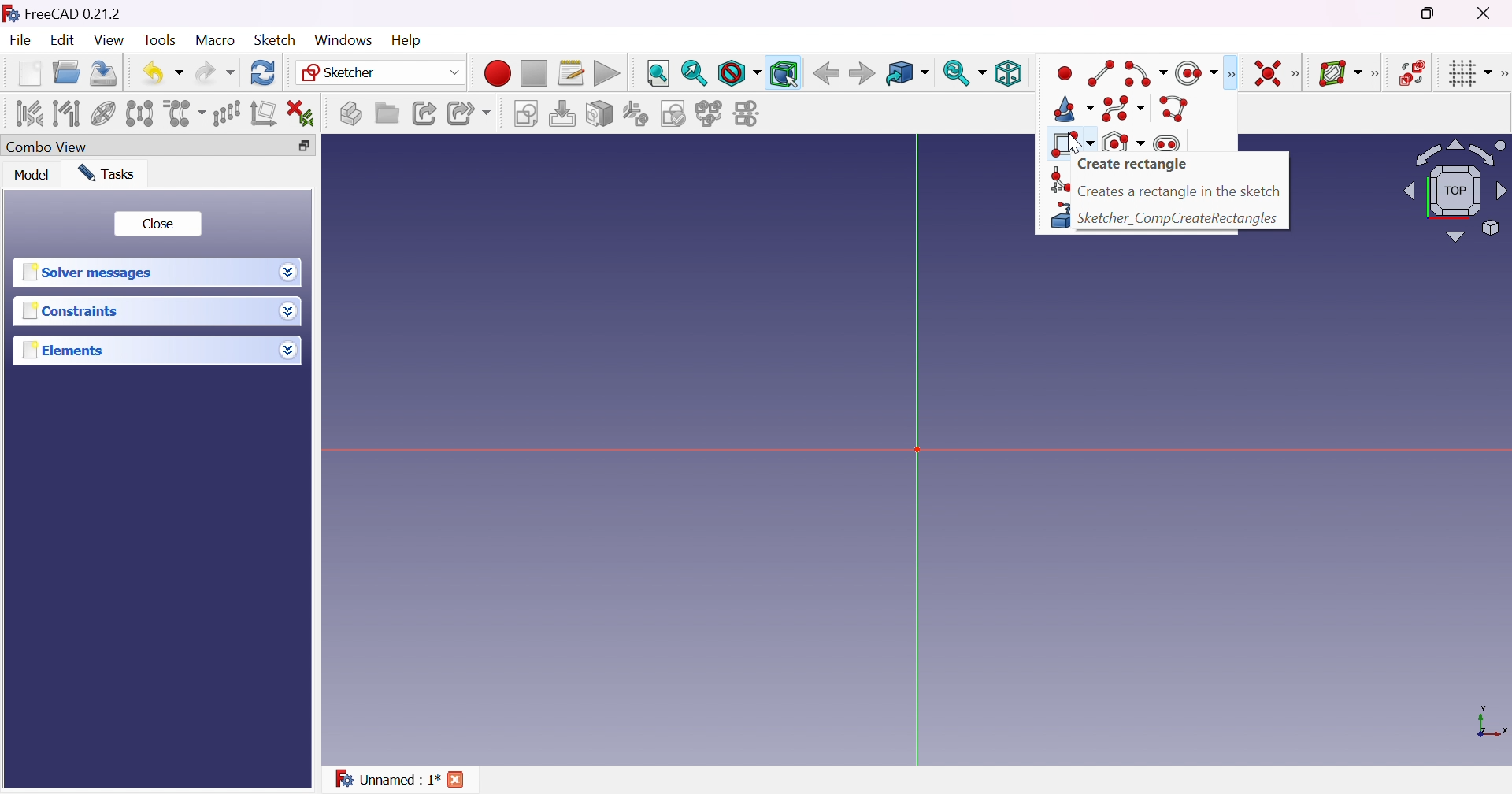 This screenshot has height=794, width=1512. I want to click on Drop down, so click(288, 310).